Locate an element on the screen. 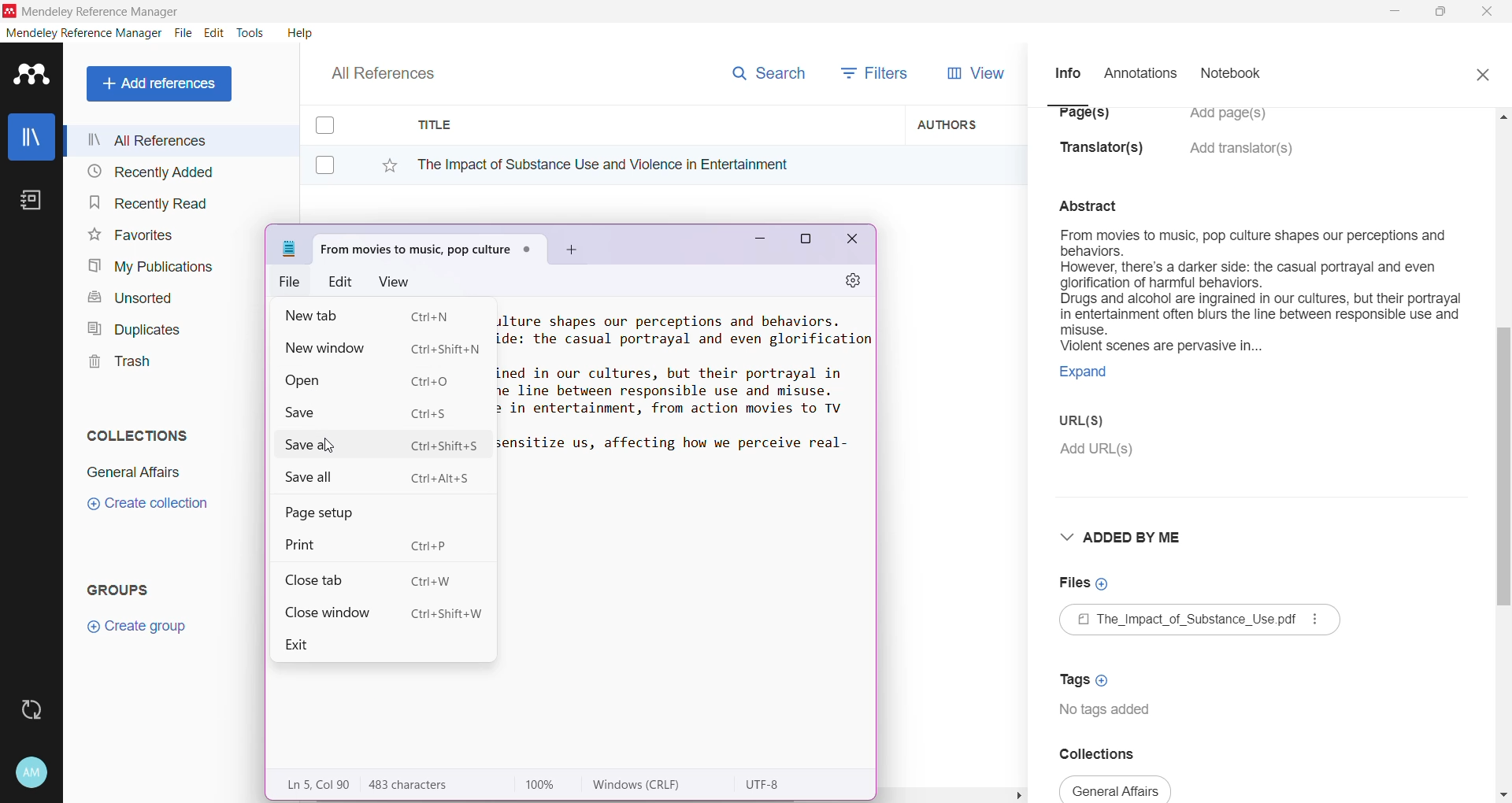  View is located at coordinates (973, 73).